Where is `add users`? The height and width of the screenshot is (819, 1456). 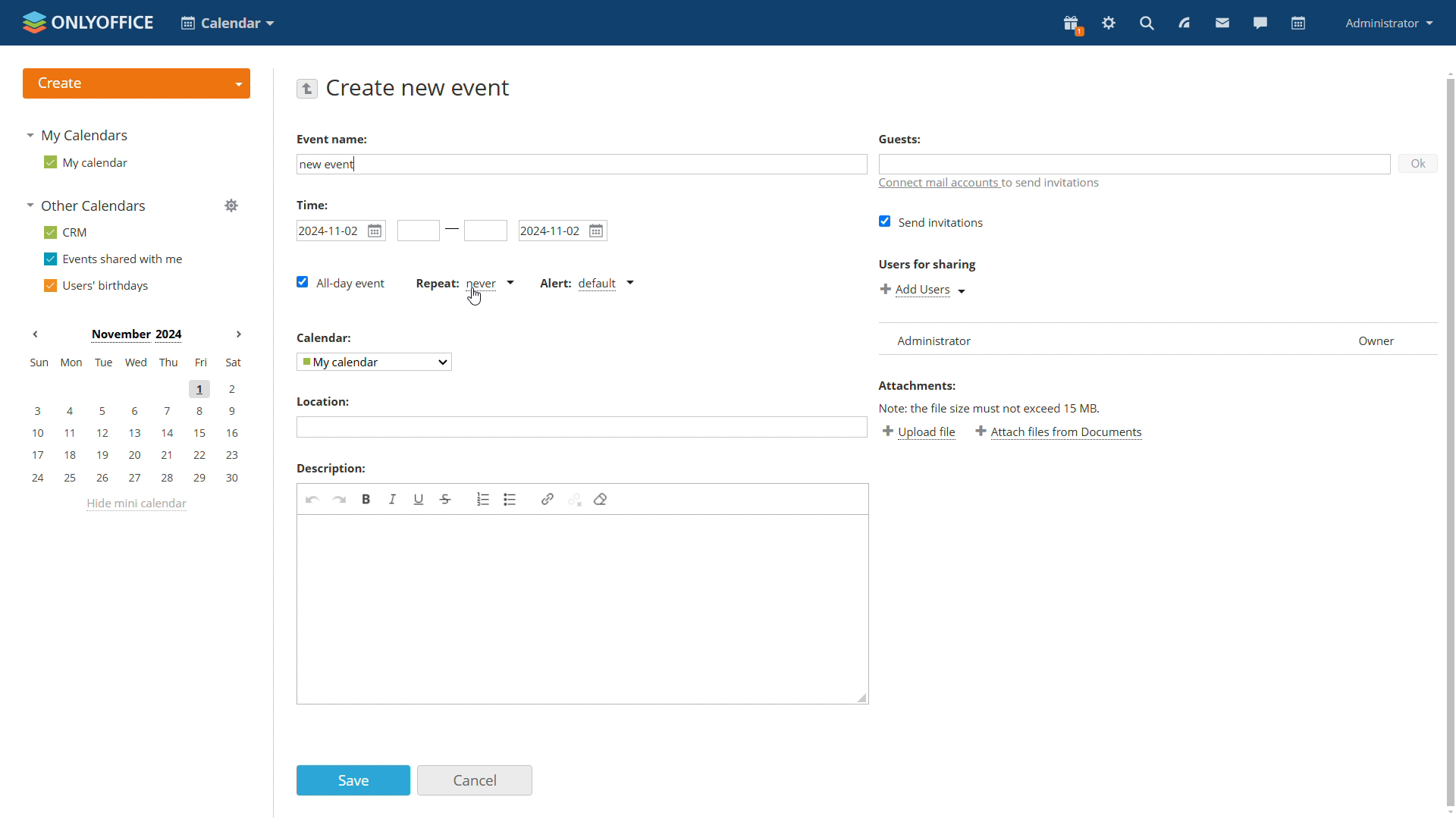
add users is located at coordinates (922, 288).